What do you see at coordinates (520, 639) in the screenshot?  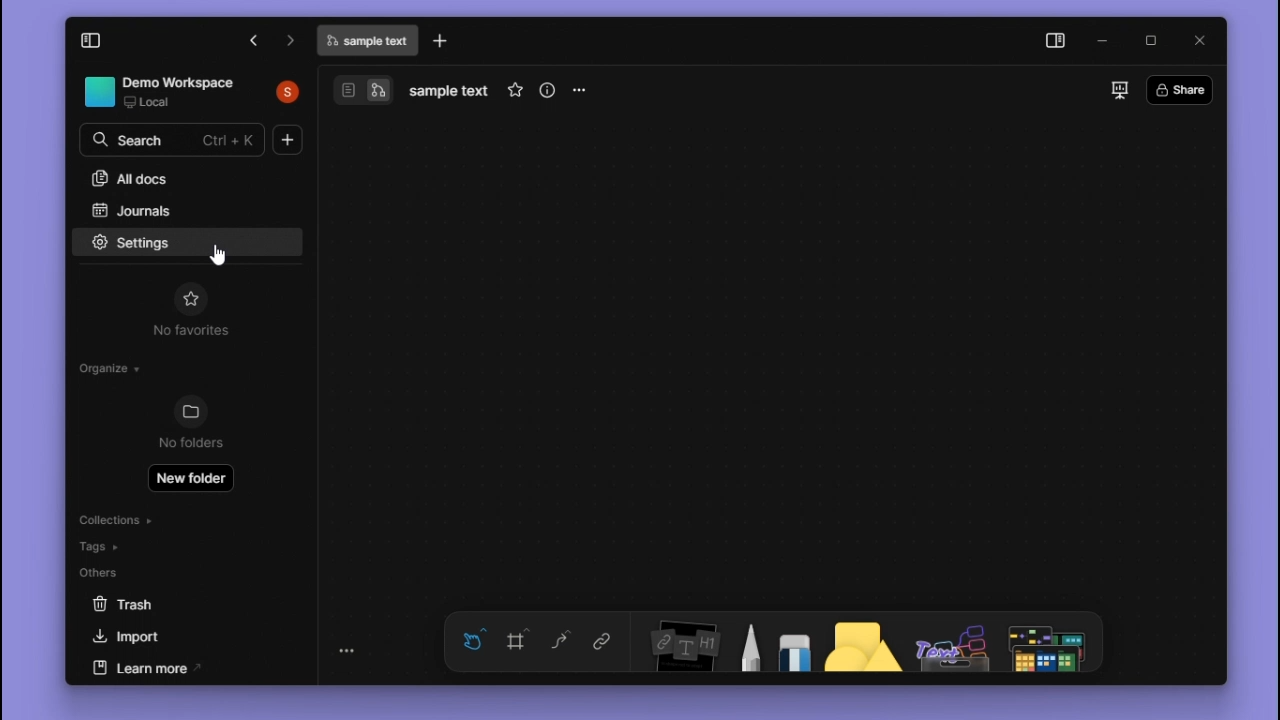 I see `Frame` at bounding box center [520, 639].